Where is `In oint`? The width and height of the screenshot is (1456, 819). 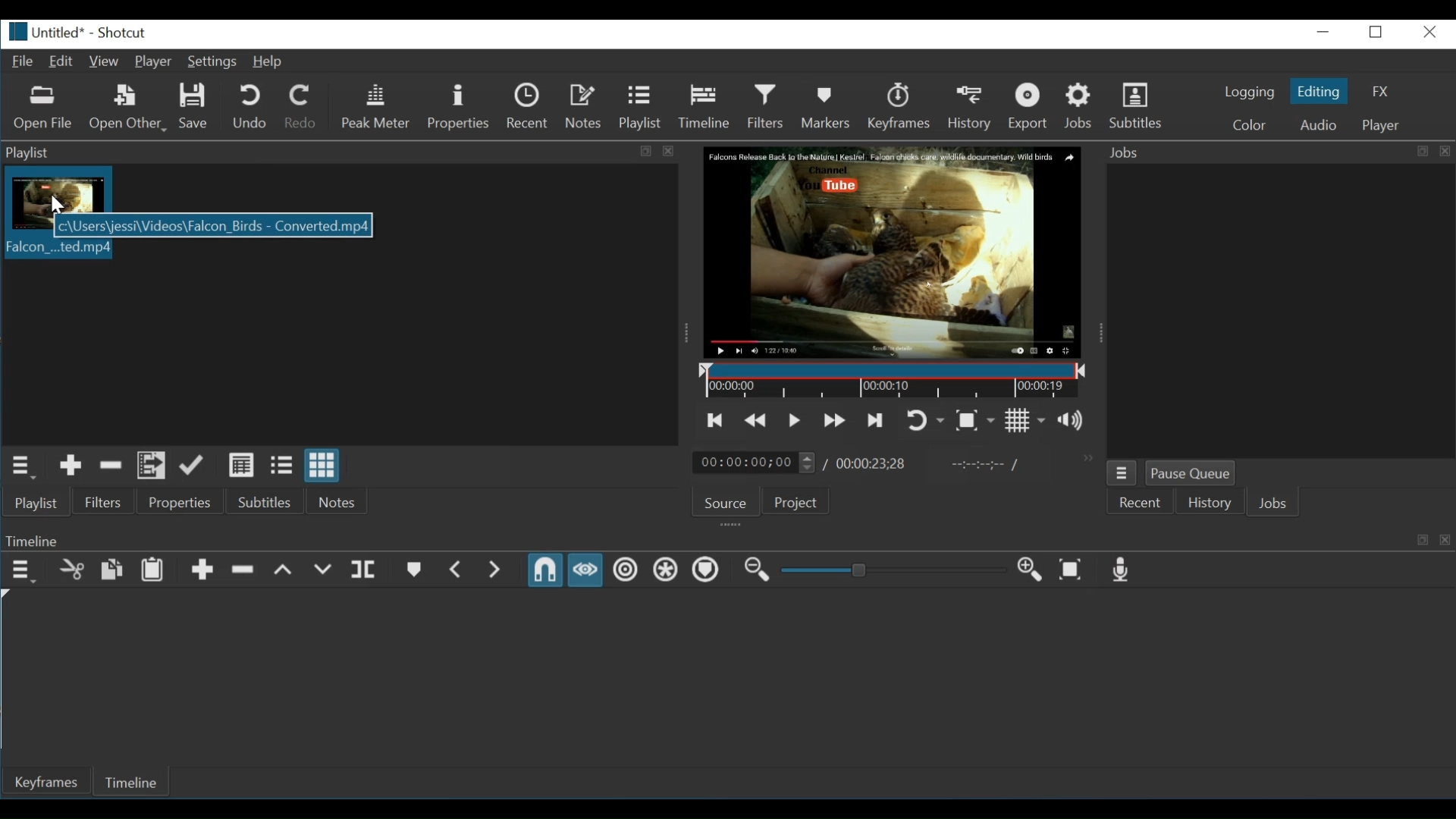
In oint is located at coordinates (981, 466).